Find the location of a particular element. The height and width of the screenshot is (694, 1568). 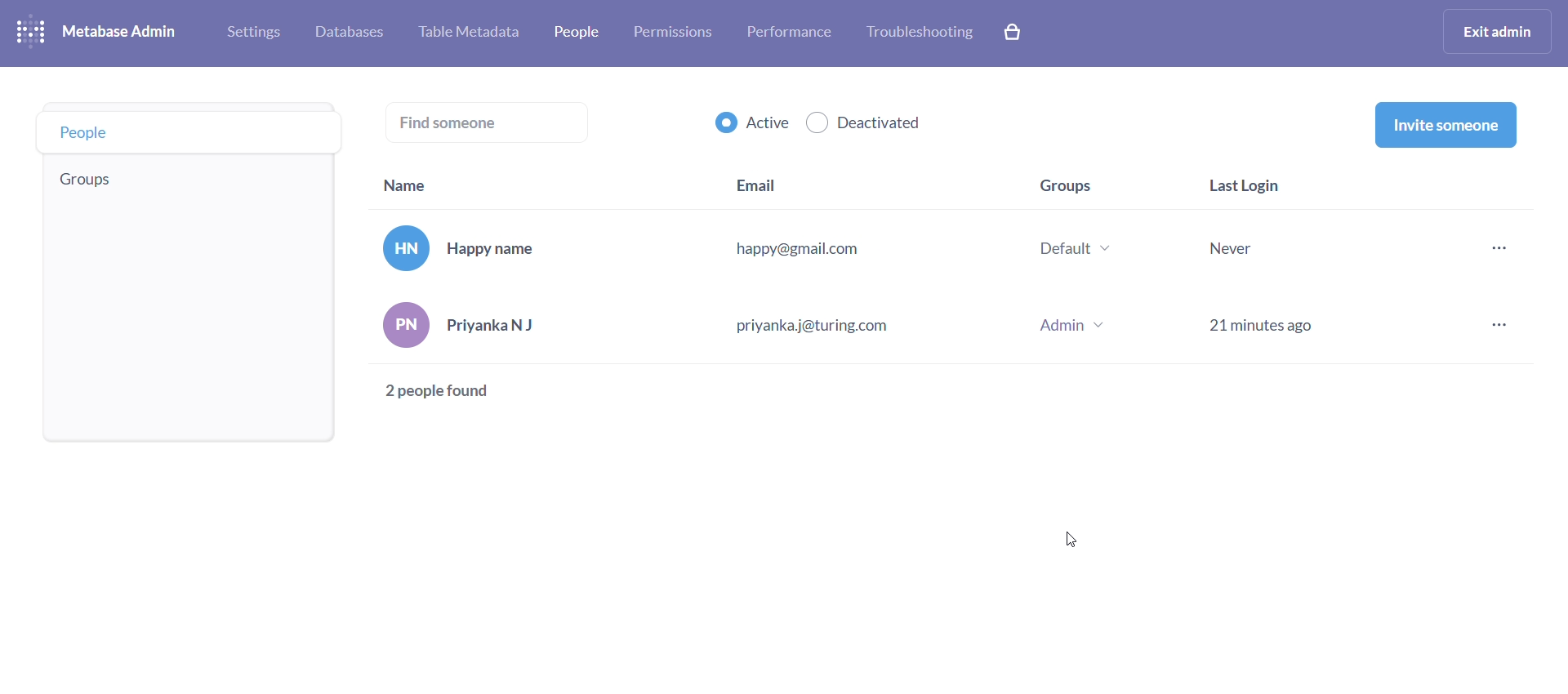

name is located at coordinates (412, 188).